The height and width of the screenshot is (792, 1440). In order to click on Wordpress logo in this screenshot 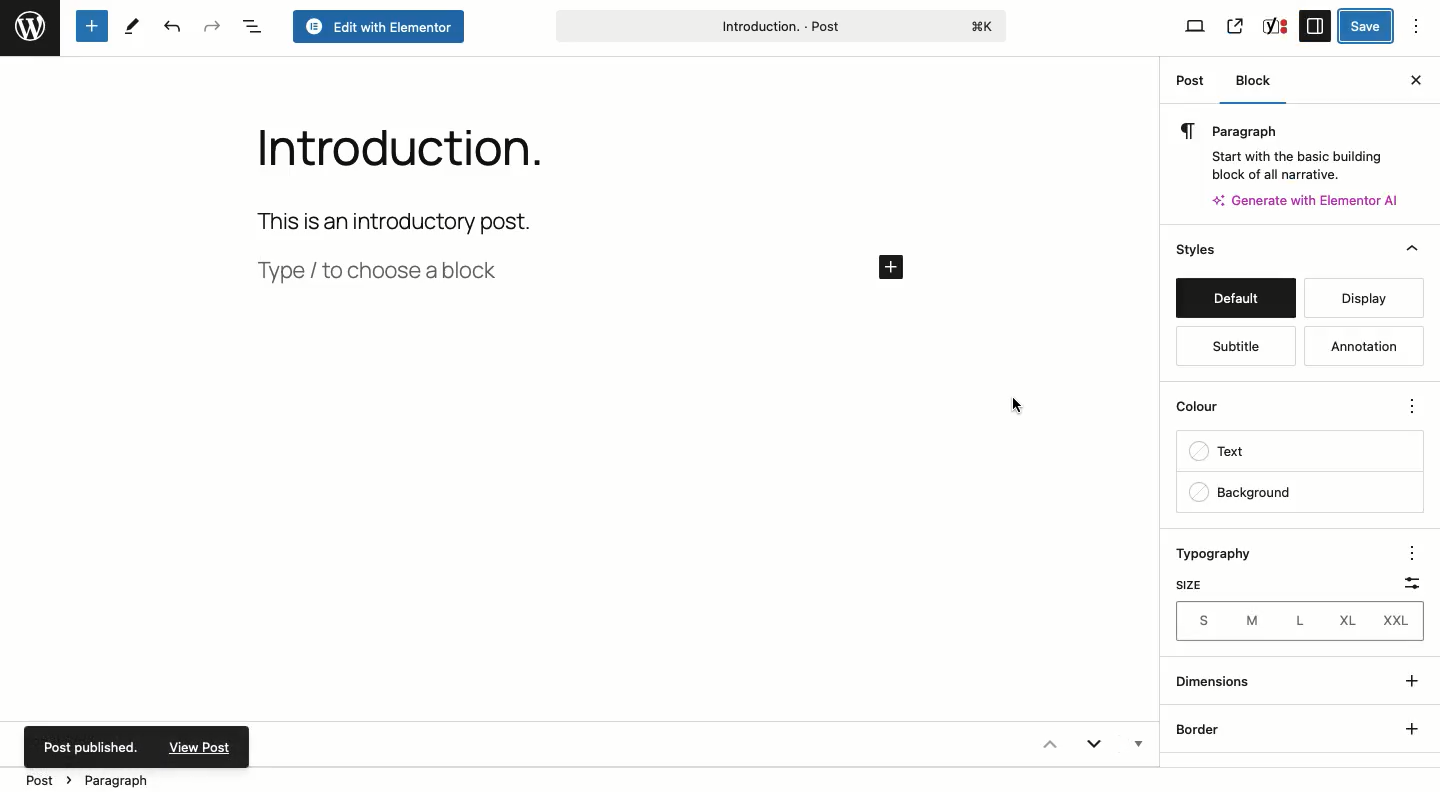, I will do `click(30, 27)`.